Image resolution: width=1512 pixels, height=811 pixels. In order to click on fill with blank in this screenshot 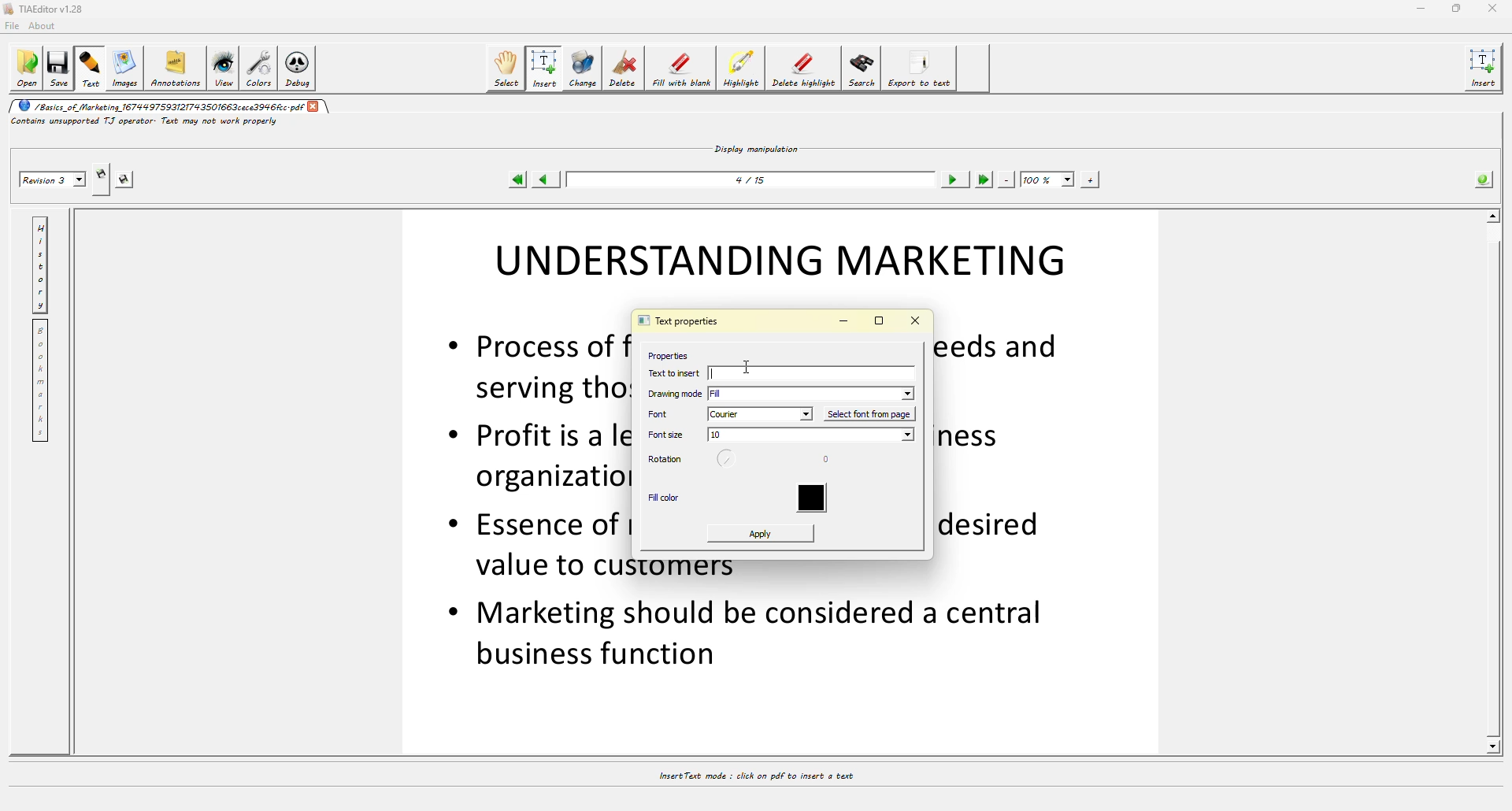, I will do `click(682, 68)`.